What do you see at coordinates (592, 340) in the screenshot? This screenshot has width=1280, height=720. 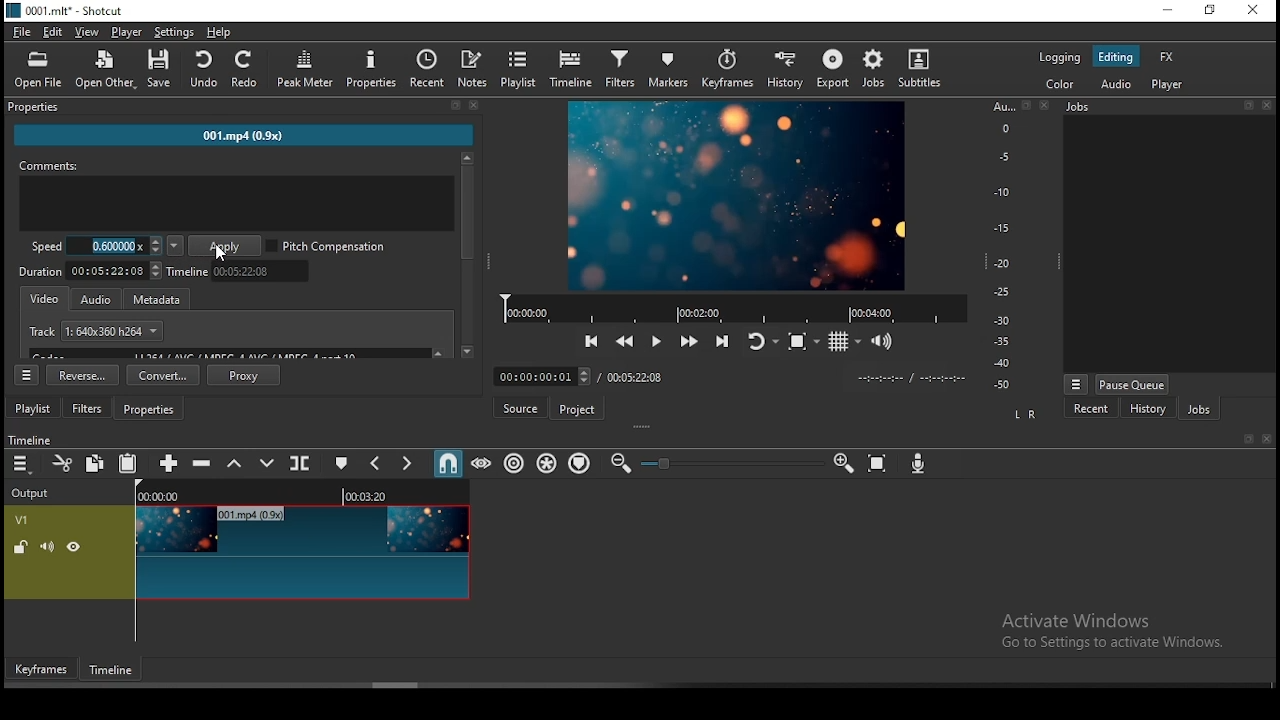 I see `skip to previous point` at bounding box center [592, 340].